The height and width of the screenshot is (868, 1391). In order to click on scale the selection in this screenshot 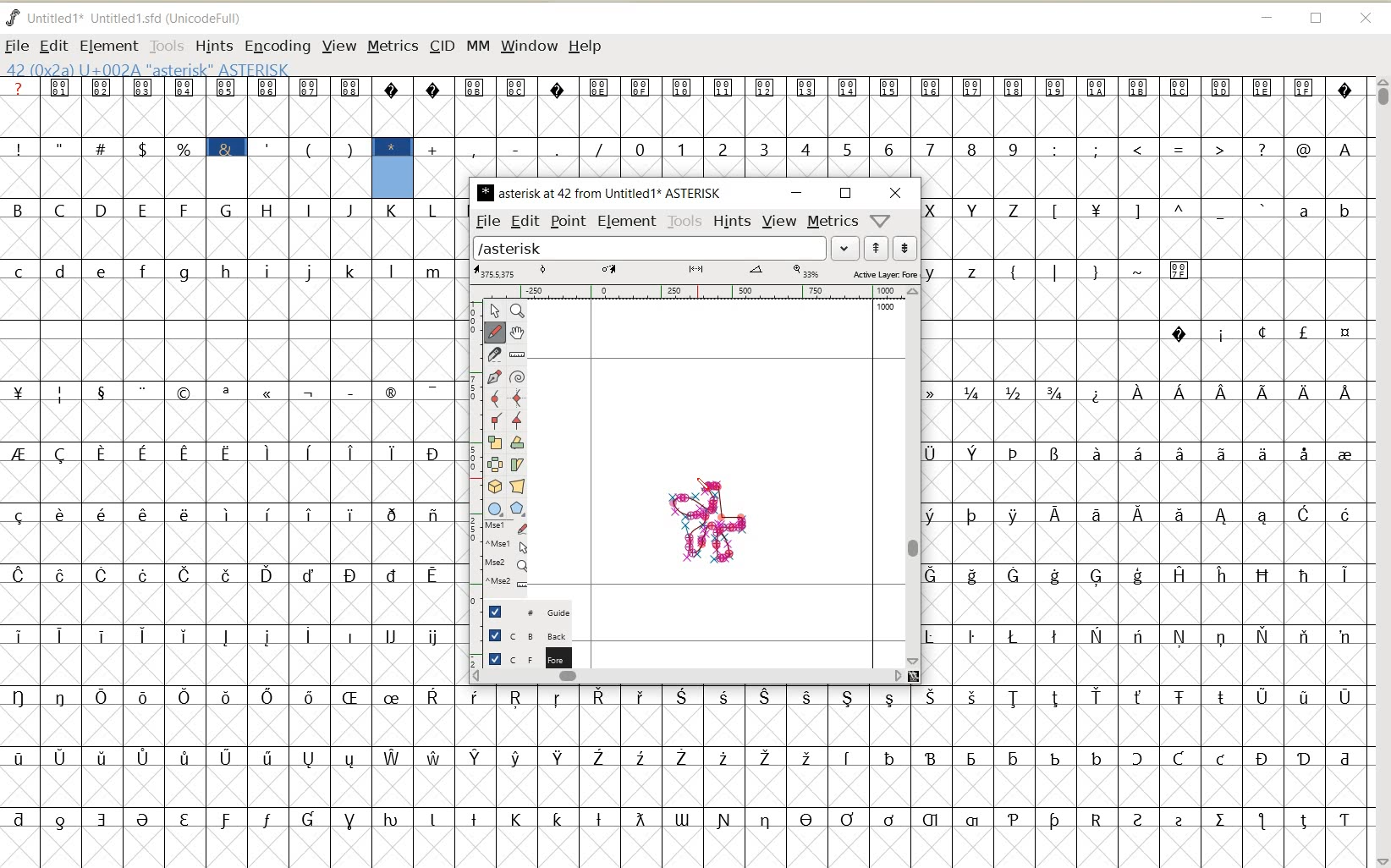, I will do `click(492, 442)`.